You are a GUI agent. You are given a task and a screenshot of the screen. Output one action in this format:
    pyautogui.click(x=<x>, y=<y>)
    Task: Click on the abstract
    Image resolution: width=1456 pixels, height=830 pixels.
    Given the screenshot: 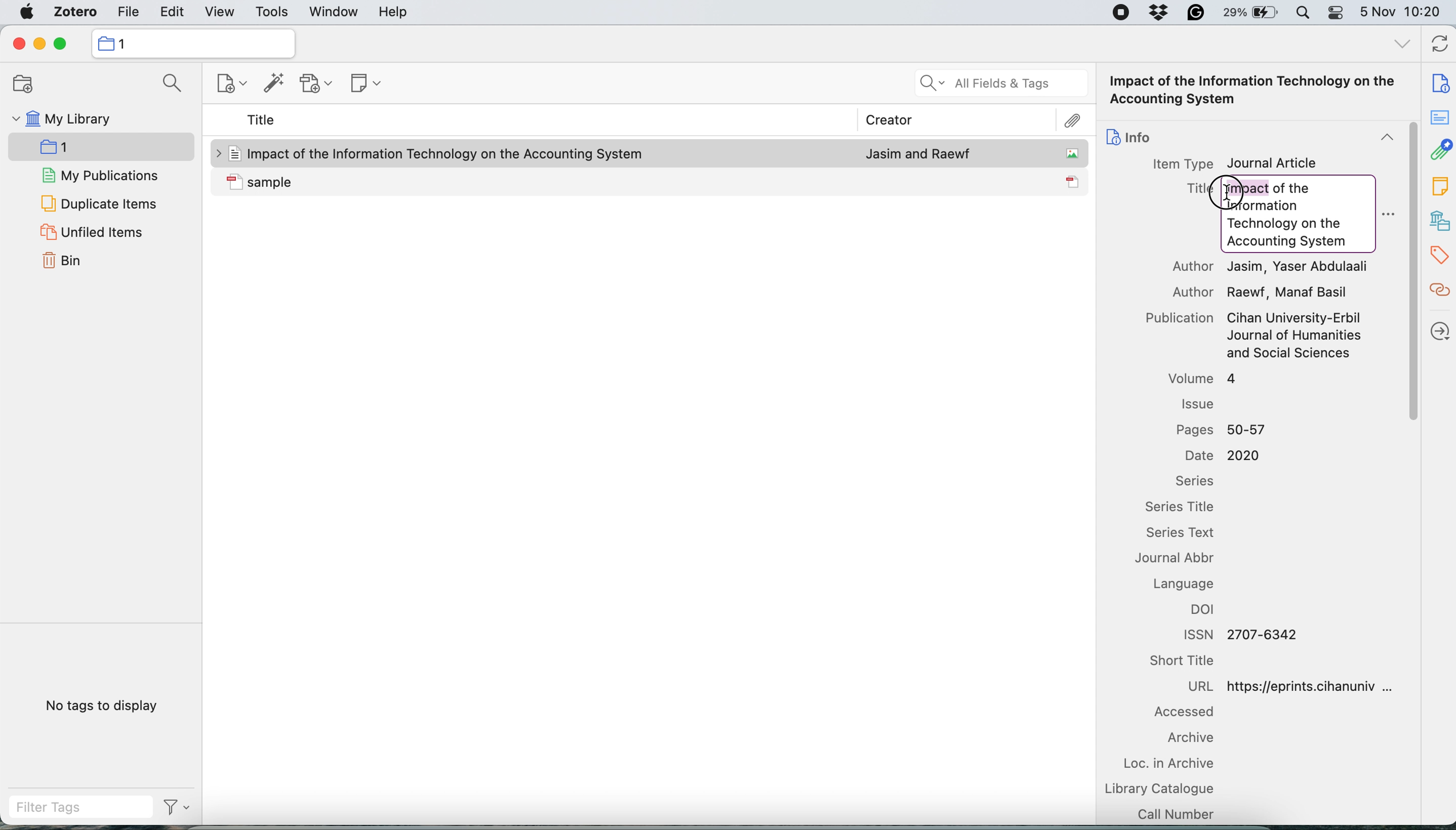 What is the action you would take?
    pyautogui.click(x=1439, y=118)
    